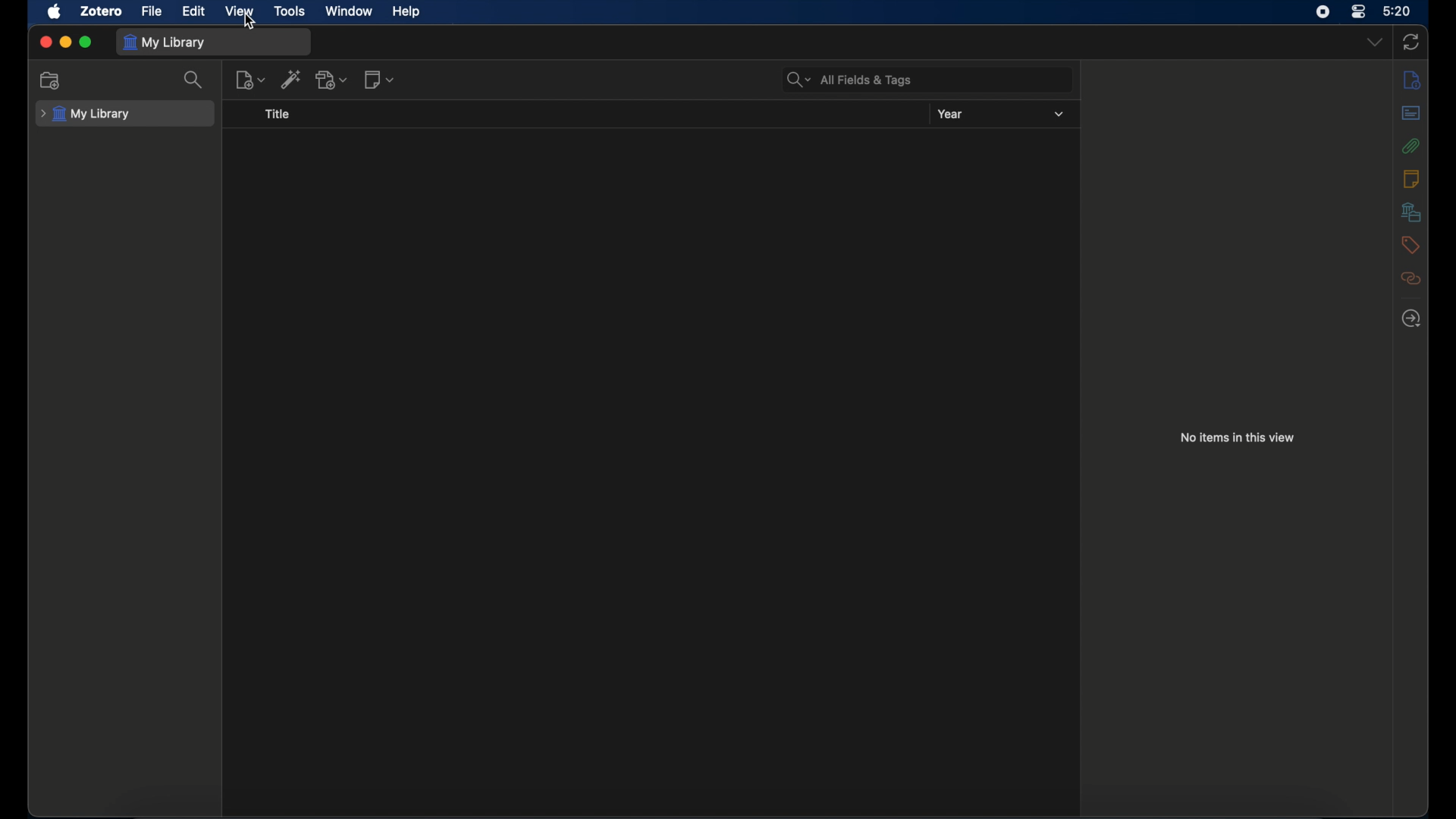 This screenshot has height=819, width=1456. I want to click on time, so click(1398, 10).